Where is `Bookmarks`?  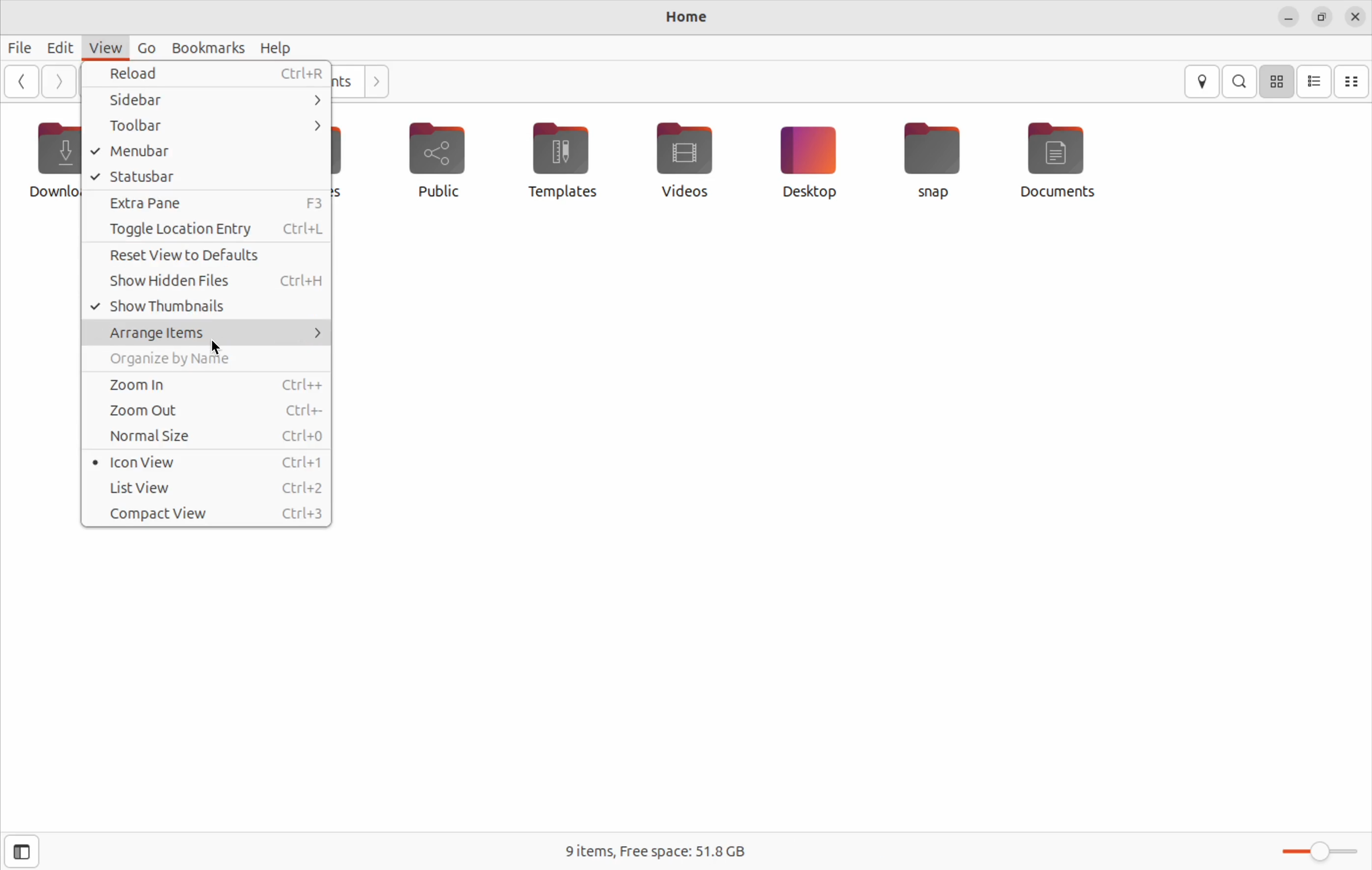 Bookmarks is located at coordinates (203, 47).